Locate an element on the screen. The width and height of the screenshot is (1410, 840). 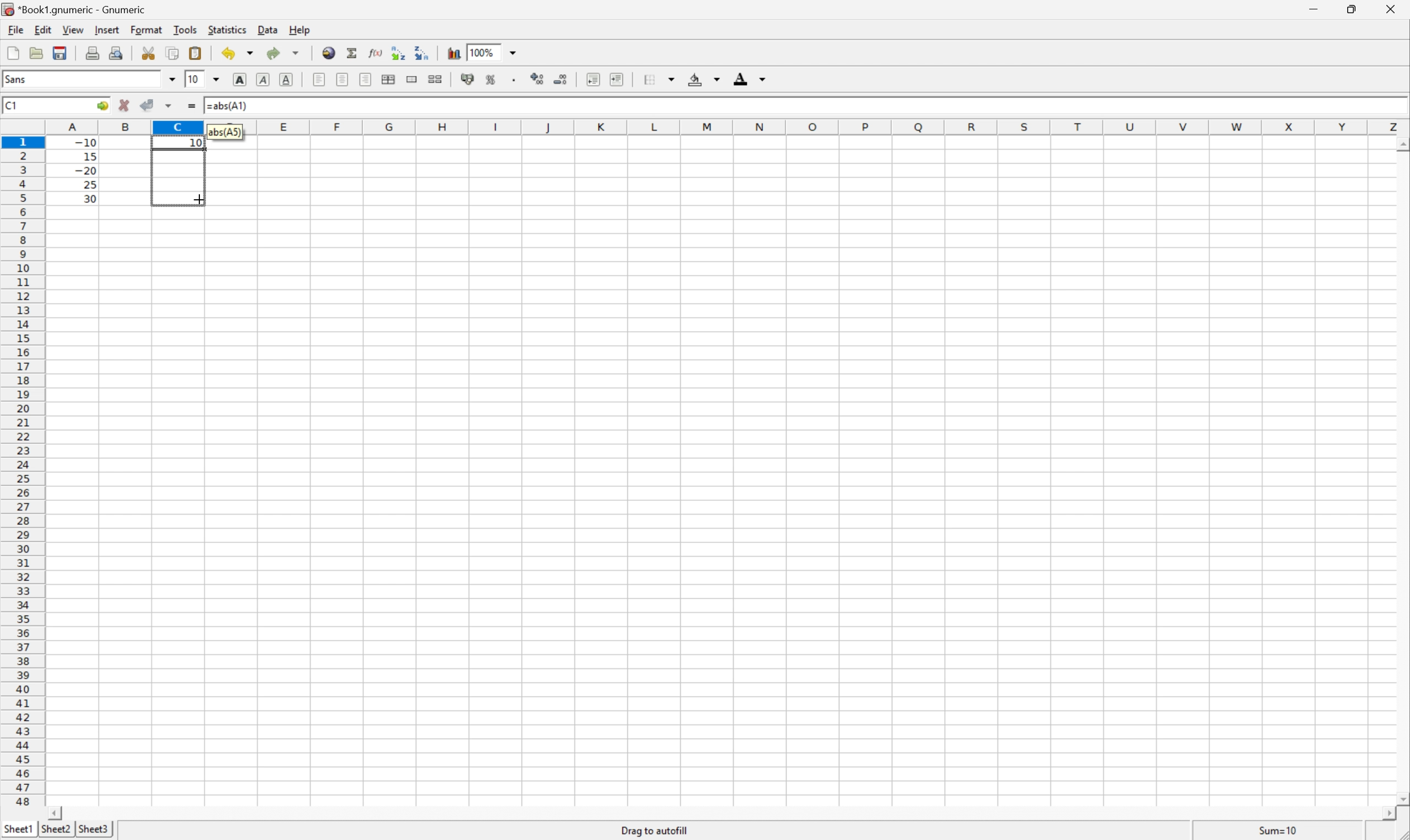
10 is located at coordinates (196, 143).